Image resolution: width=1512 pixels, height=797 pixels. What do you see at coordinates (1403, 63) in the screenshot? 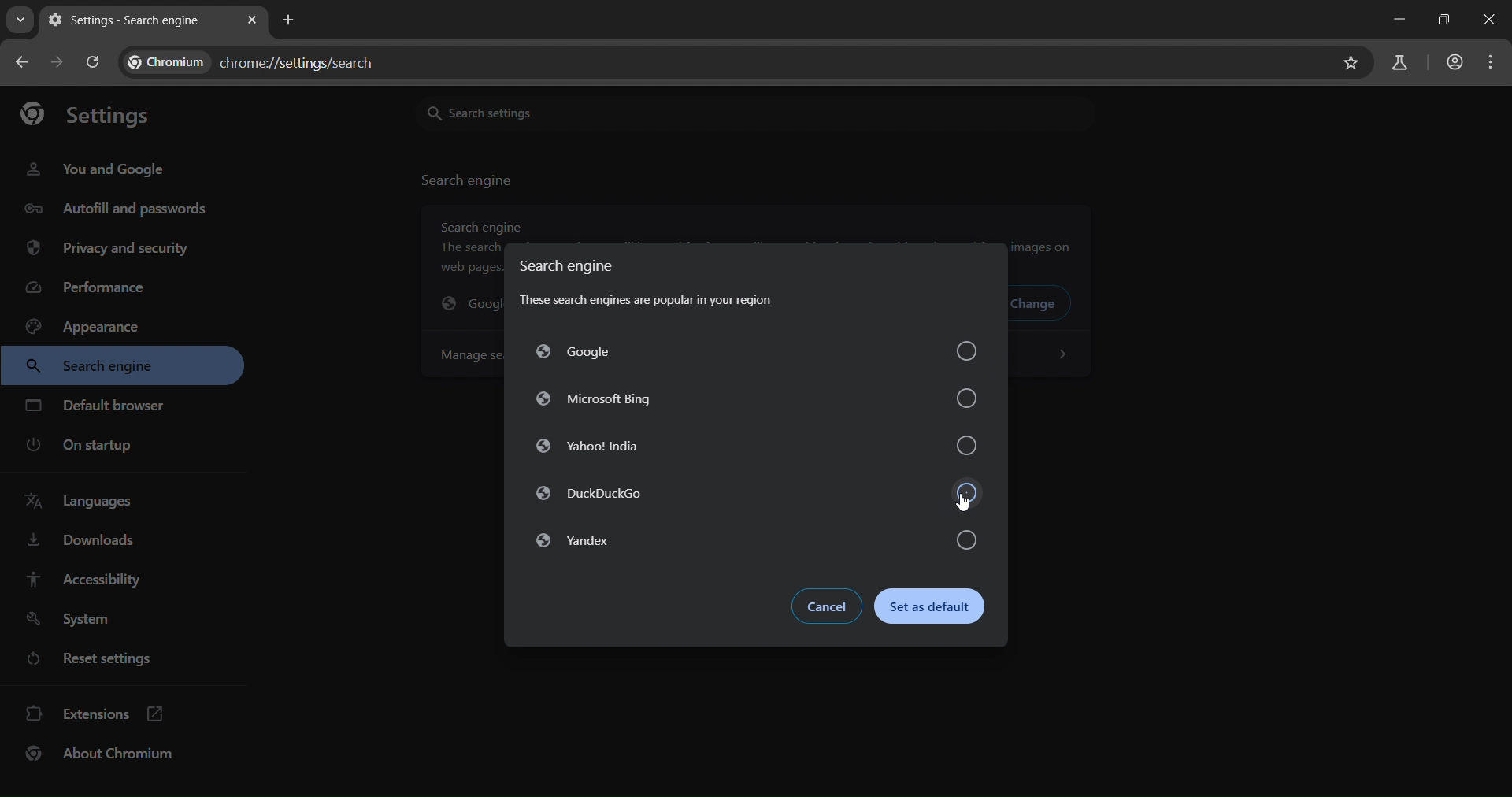
I see `search labs` at bounding box center [1403, 63].